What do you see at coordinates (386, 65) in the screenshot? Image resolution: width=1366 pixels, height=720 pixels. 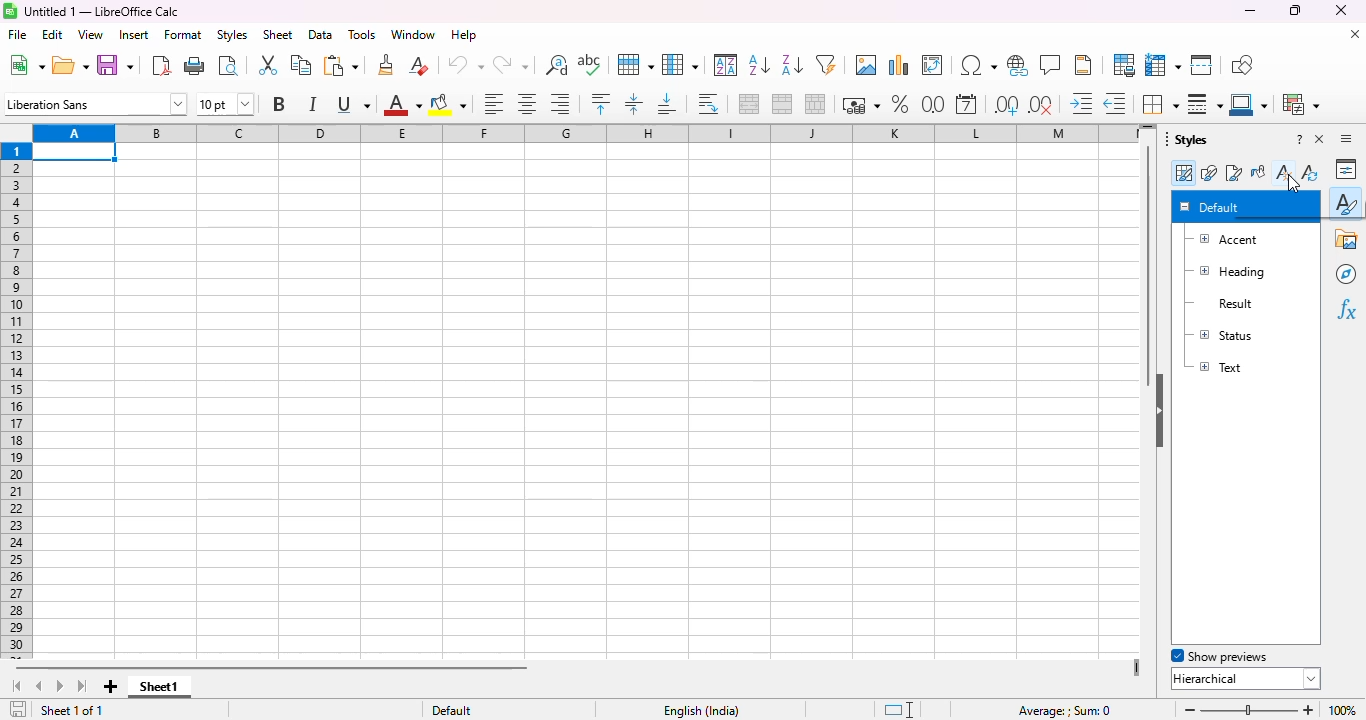 I see `clone formatting` at bounding box center [386, 65].